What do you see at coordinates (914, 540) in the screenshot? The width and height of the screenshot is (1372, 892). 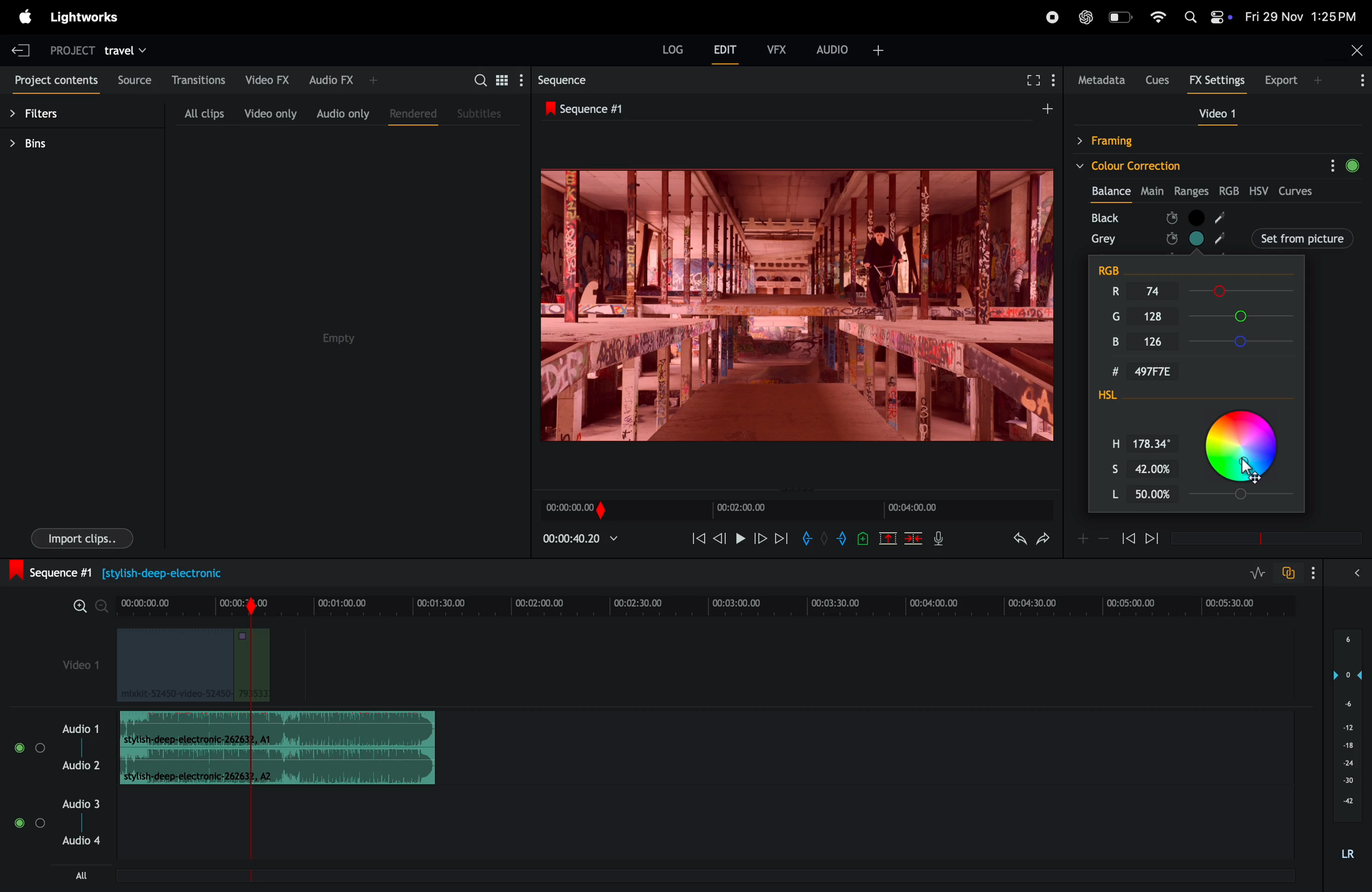 I see `delete` at bounding box center [914, 540].